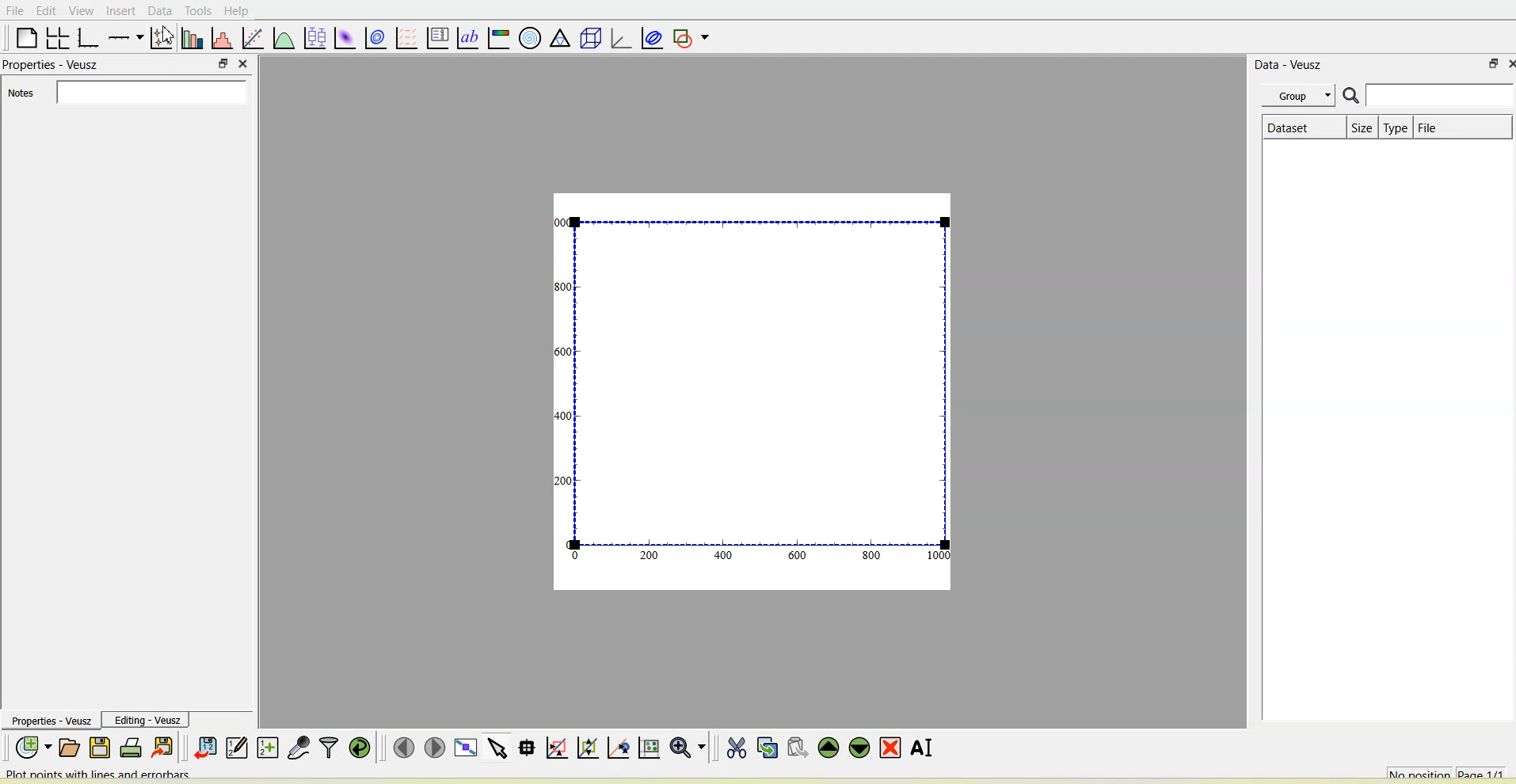 Image resolution: width=1516 pixels, height=784 pixels. What do you see at coordinates (531, 37) in the screenshot?
I see `Polar graph` at bounding box center [531, 37].